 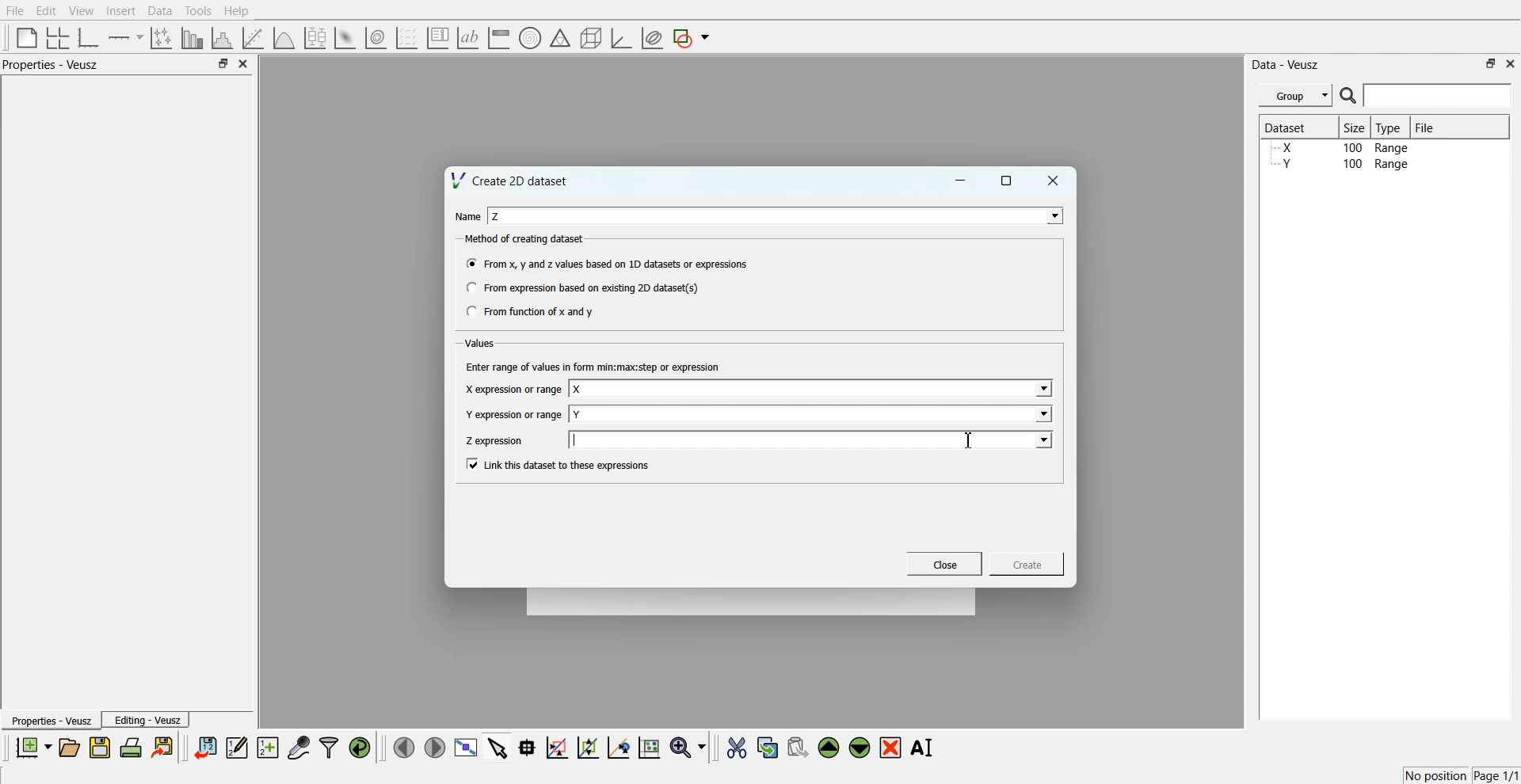 I want to click on Editing - Veusz, so click(x=146, y=719).